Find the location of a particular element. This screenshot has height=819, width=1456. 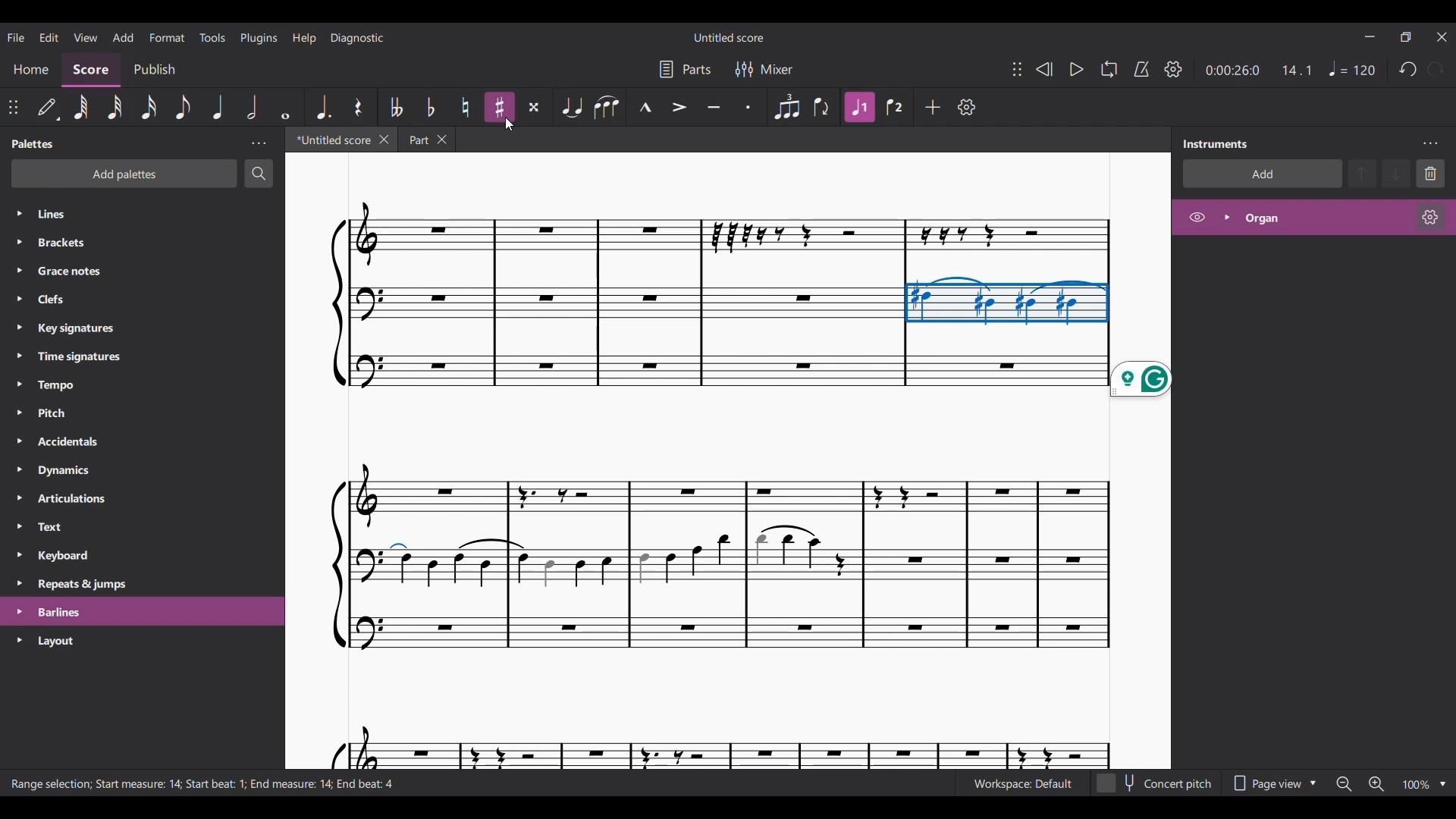

Tuplet is located at coordinates (786, 107).